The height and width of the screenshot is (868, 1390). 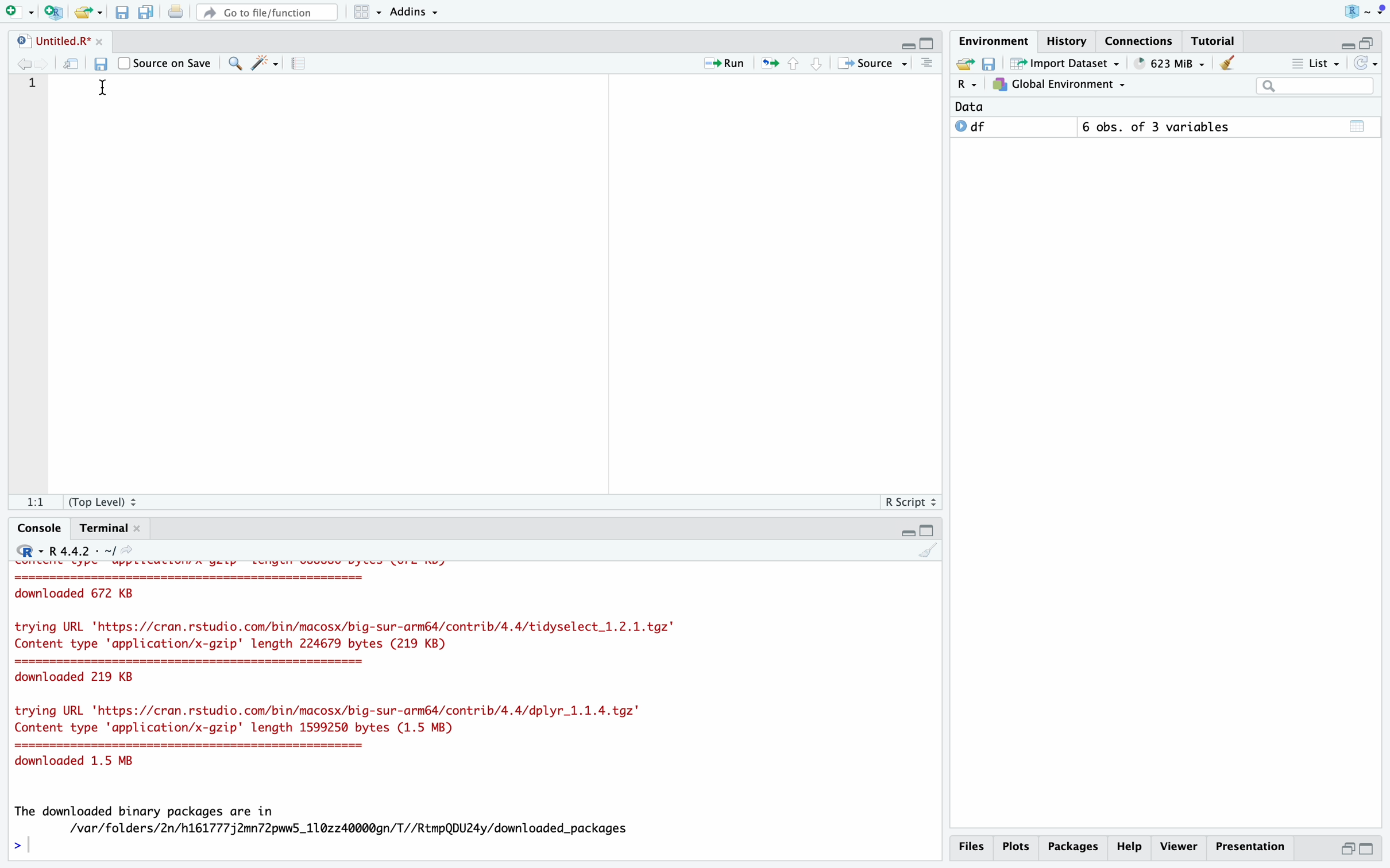 I want to click on Half Height, so click(x=1370, y=42).